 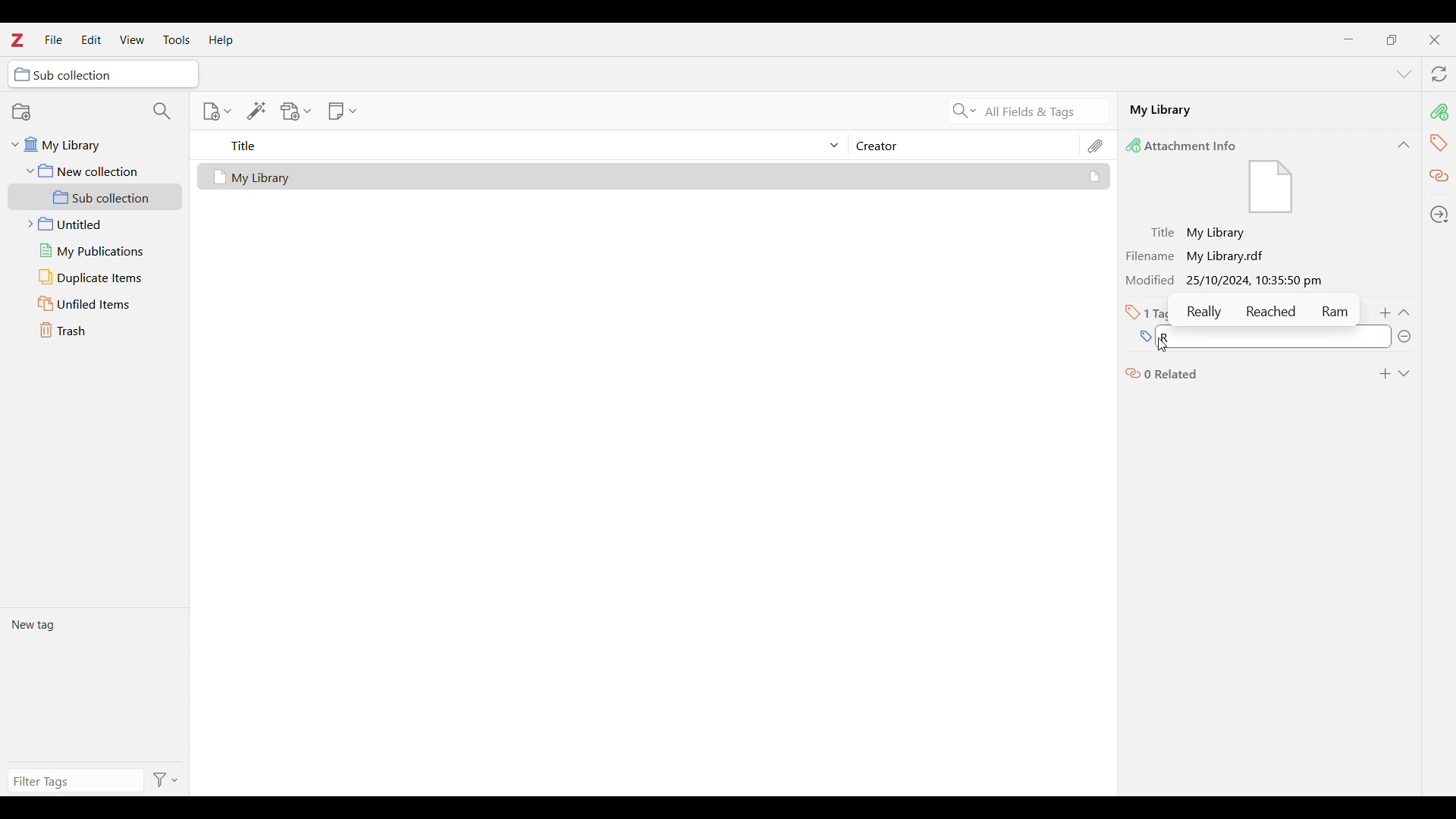 What do you see at coordinates (1164, 344) in the screenshot?
I see `Cursor position unchanged` at bounding box center [1164, 344].